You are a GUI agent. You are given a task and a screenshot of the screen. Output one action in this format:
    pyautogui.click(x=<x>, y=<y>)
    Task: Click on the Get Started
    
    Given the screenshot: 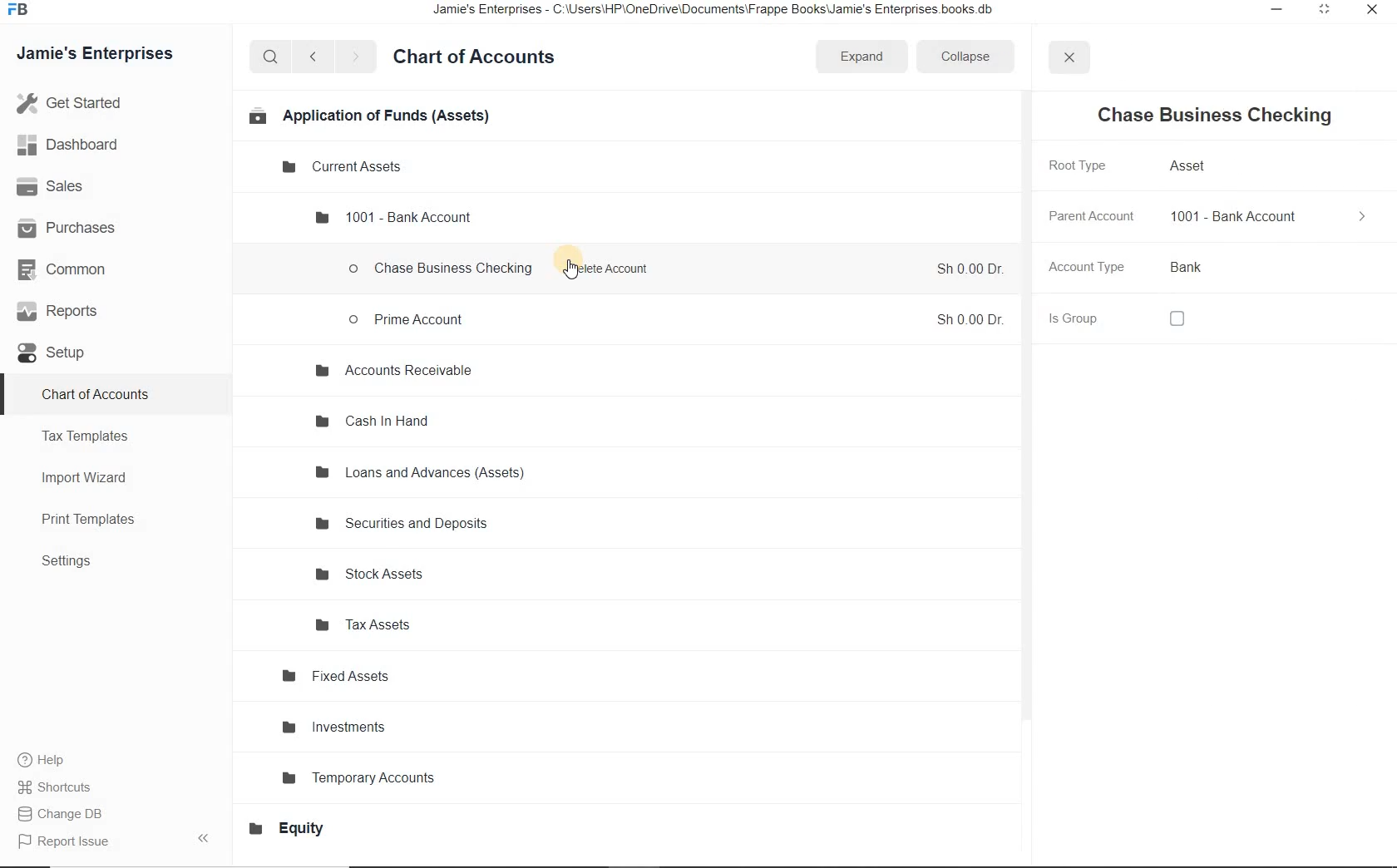 What is the action you would take?
    pyautogui.click(x=106, y=103)
    